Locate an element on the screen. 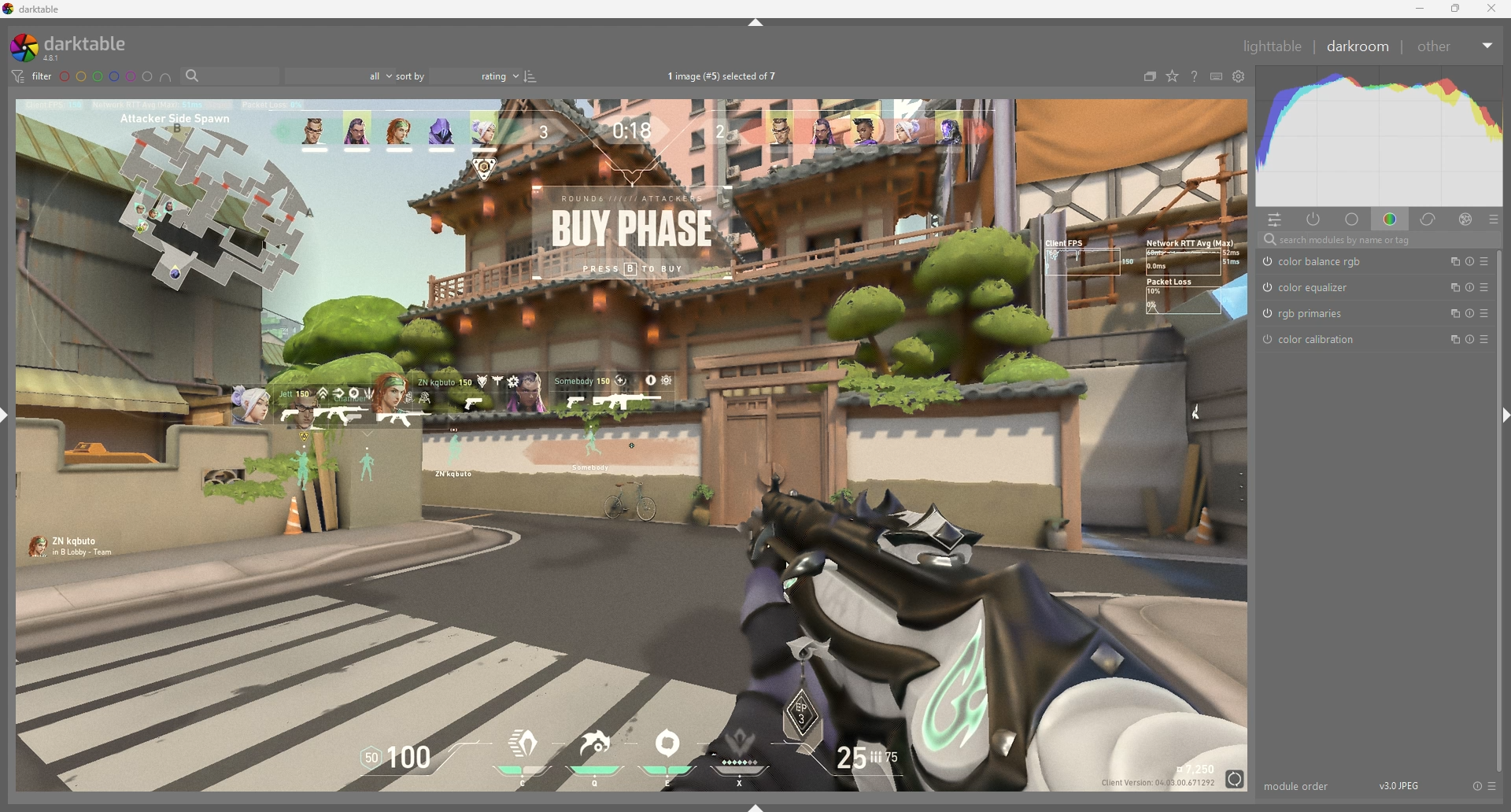 The height and width of the screenshot is (812, 1511). sort by is located at coordinates (457, 76).